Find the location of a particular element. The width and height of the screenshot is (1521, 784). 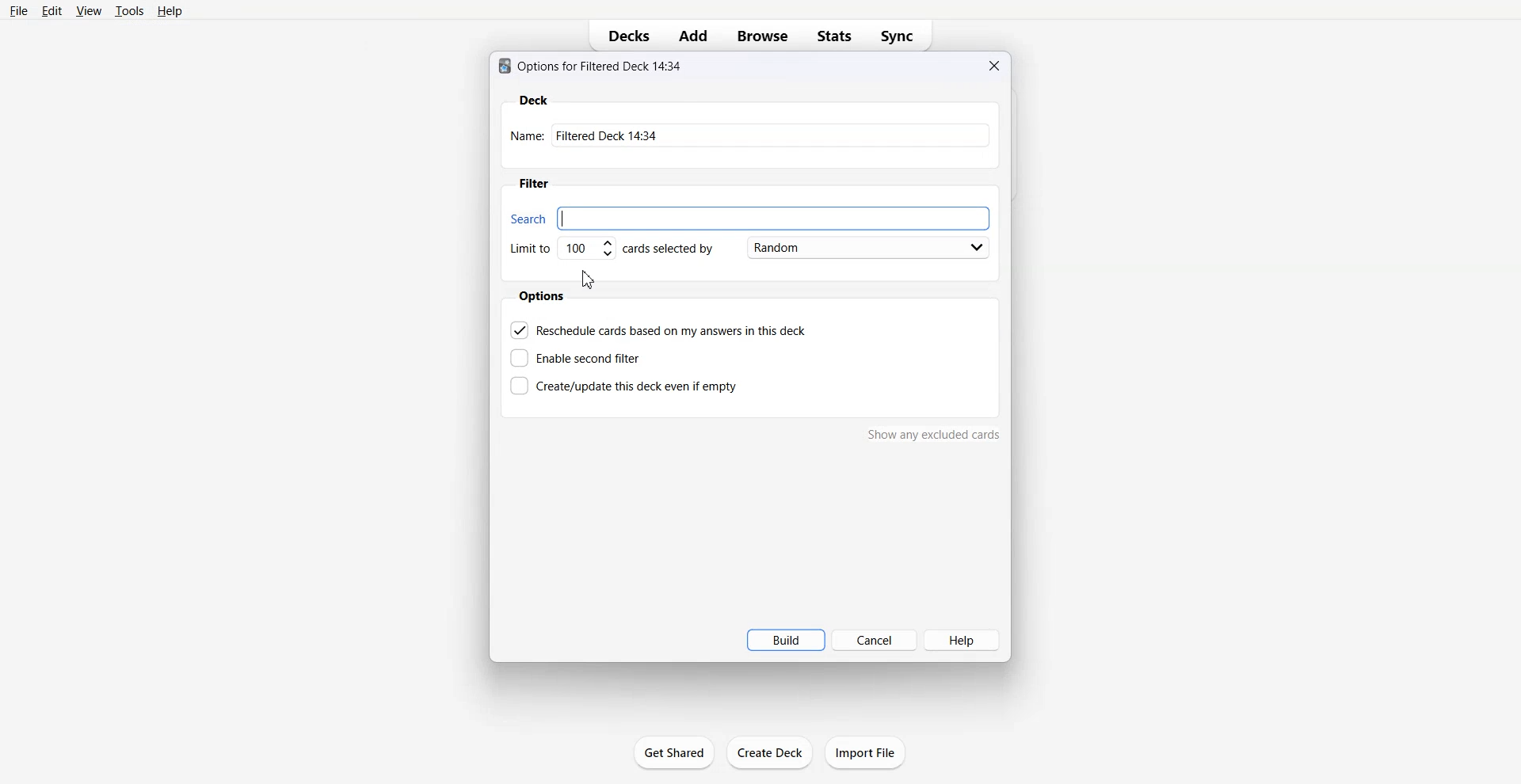

Reschedule cards based on my answers is located at coordinates (661, 330).